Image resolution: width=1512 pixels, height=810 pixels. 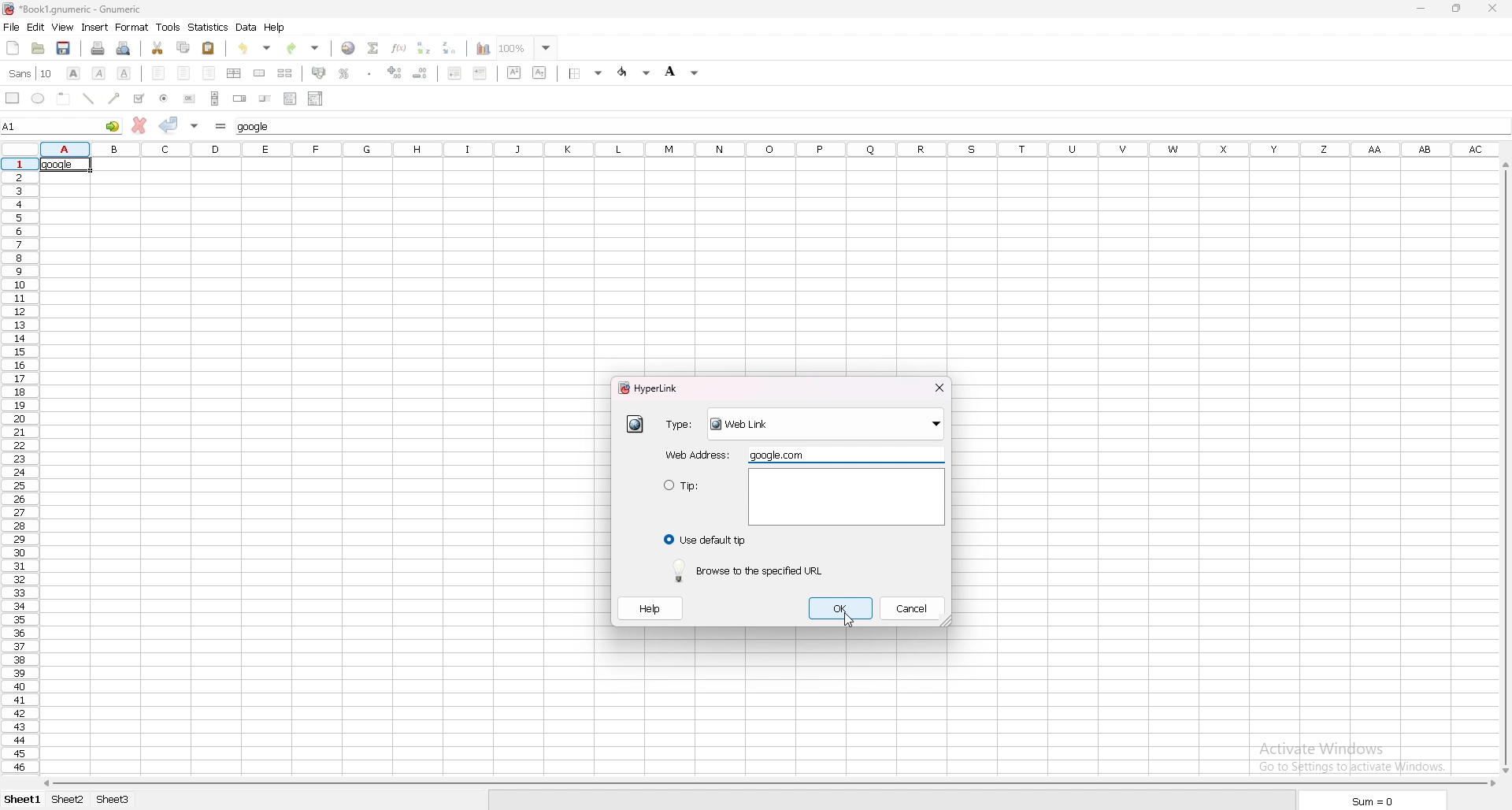 What do you see at coordinates (344, 73) in the screenshot?
I see `percentage` at bounding box center [344, 73].